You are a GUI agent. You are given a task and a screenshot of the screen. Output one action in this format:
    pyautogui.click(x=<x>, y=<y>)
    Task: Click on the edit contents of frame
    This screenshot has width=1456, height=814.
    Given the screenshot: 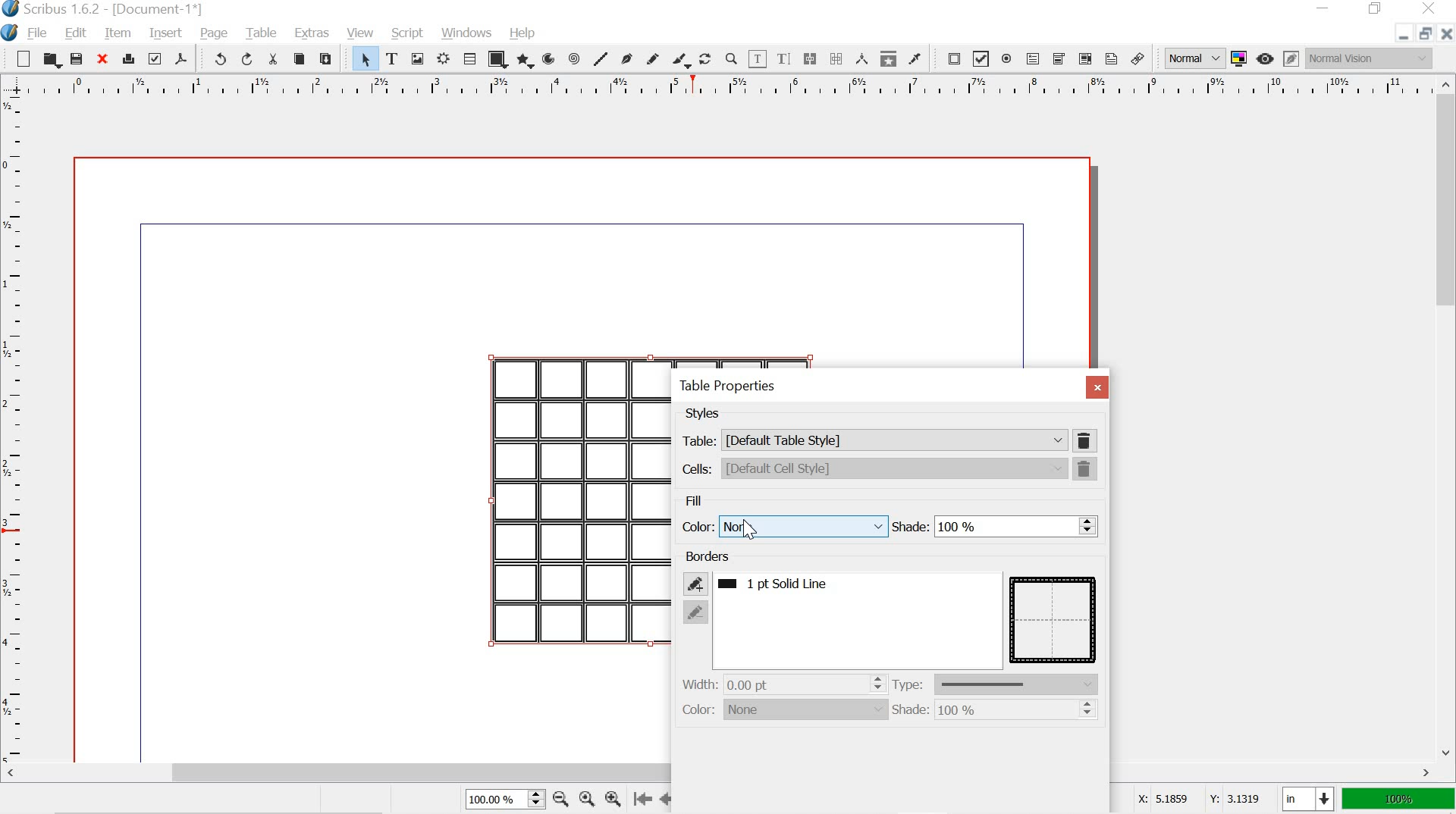 What is the action you would take?
    pyautogui.click(x=758, y=58)
    